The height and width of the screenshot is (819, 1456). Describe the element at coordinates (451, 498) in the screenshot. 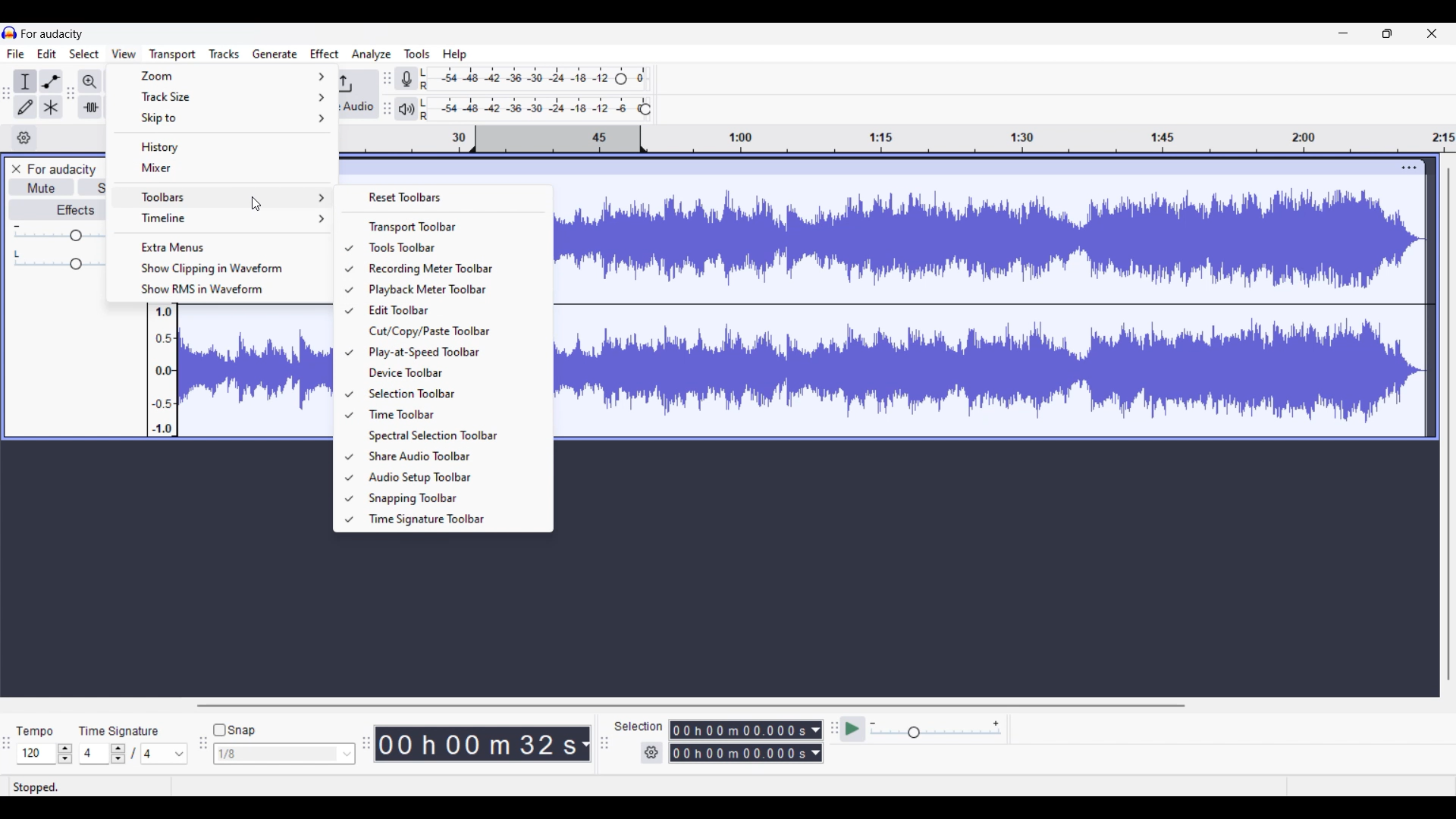

I see `Snapping toolbar` at that location.